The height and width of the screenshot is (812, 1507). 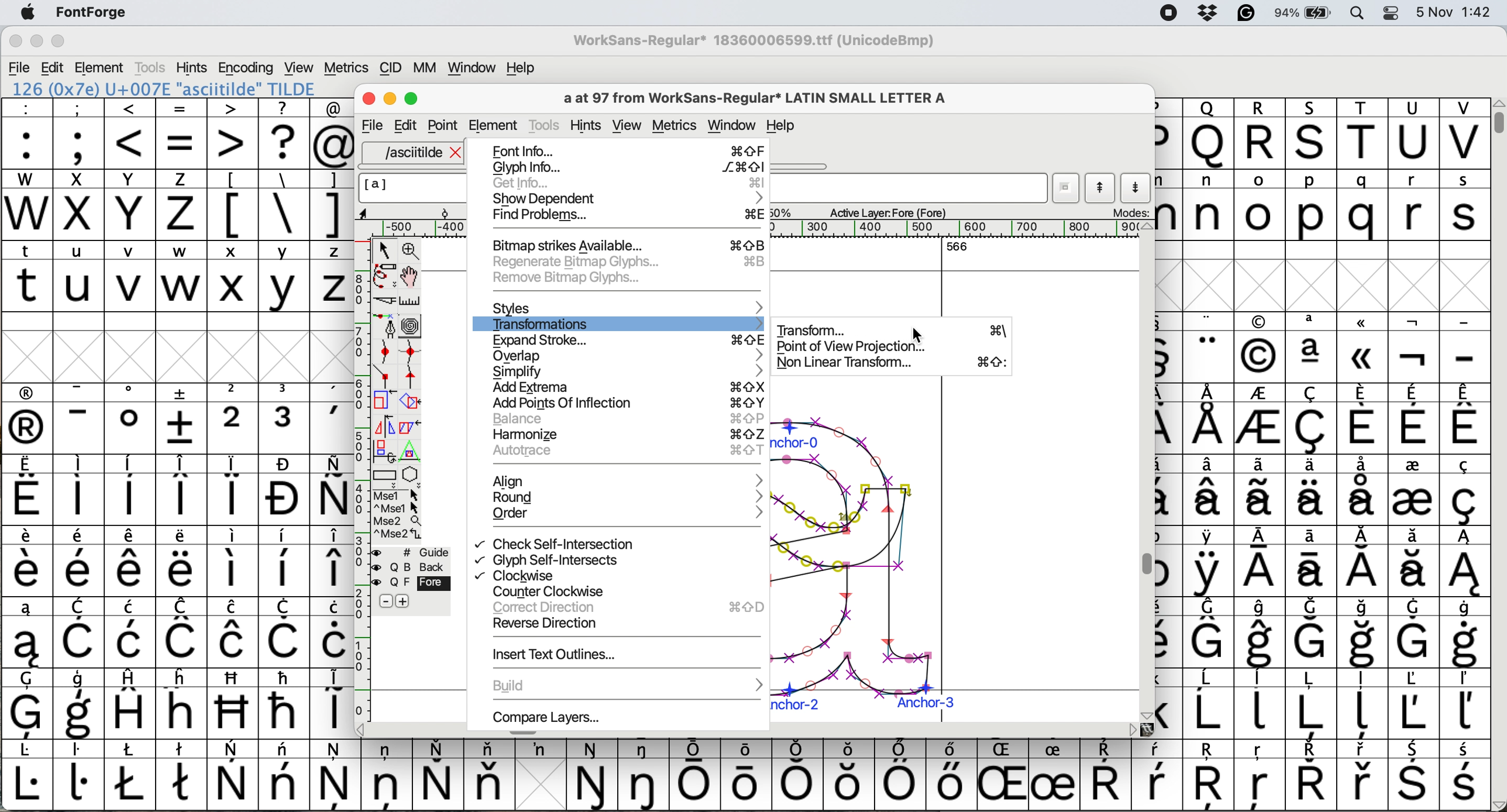 What do you see at coordinates (411, 474) in the screenshot?
I see `star or polygon` at bounding box center [411, 474].